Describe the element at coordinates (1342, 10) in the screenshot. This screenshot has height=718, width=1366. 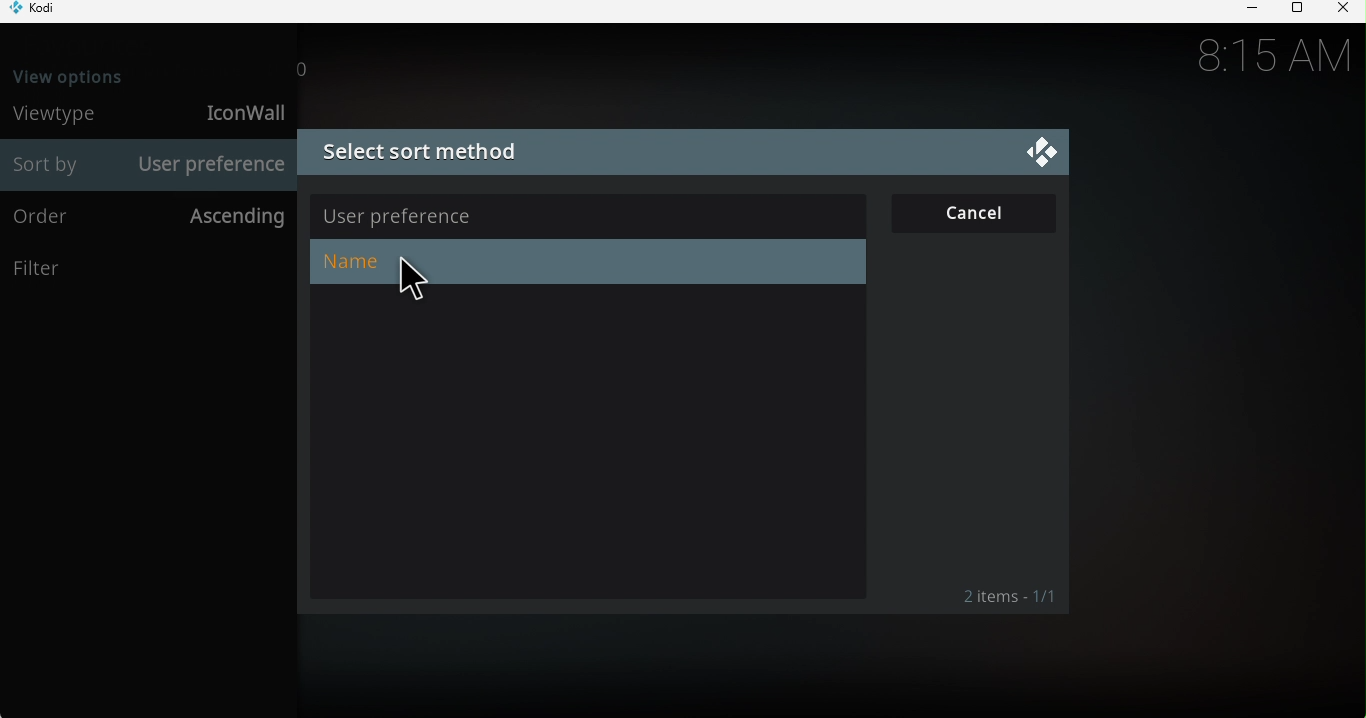
I see `Close` at that location.